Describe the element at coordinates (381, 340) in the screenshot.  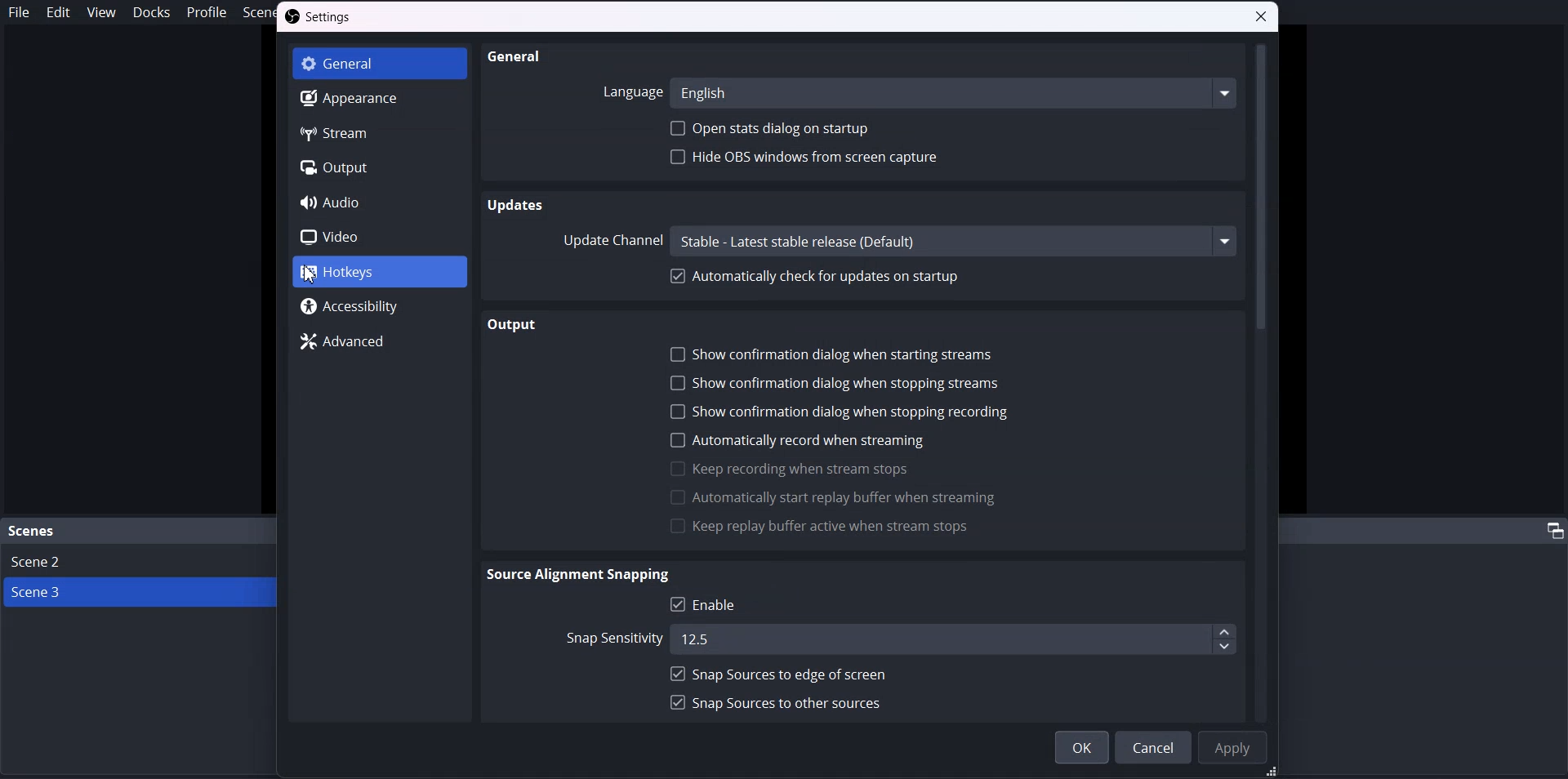
I see `Advanced` at that location.